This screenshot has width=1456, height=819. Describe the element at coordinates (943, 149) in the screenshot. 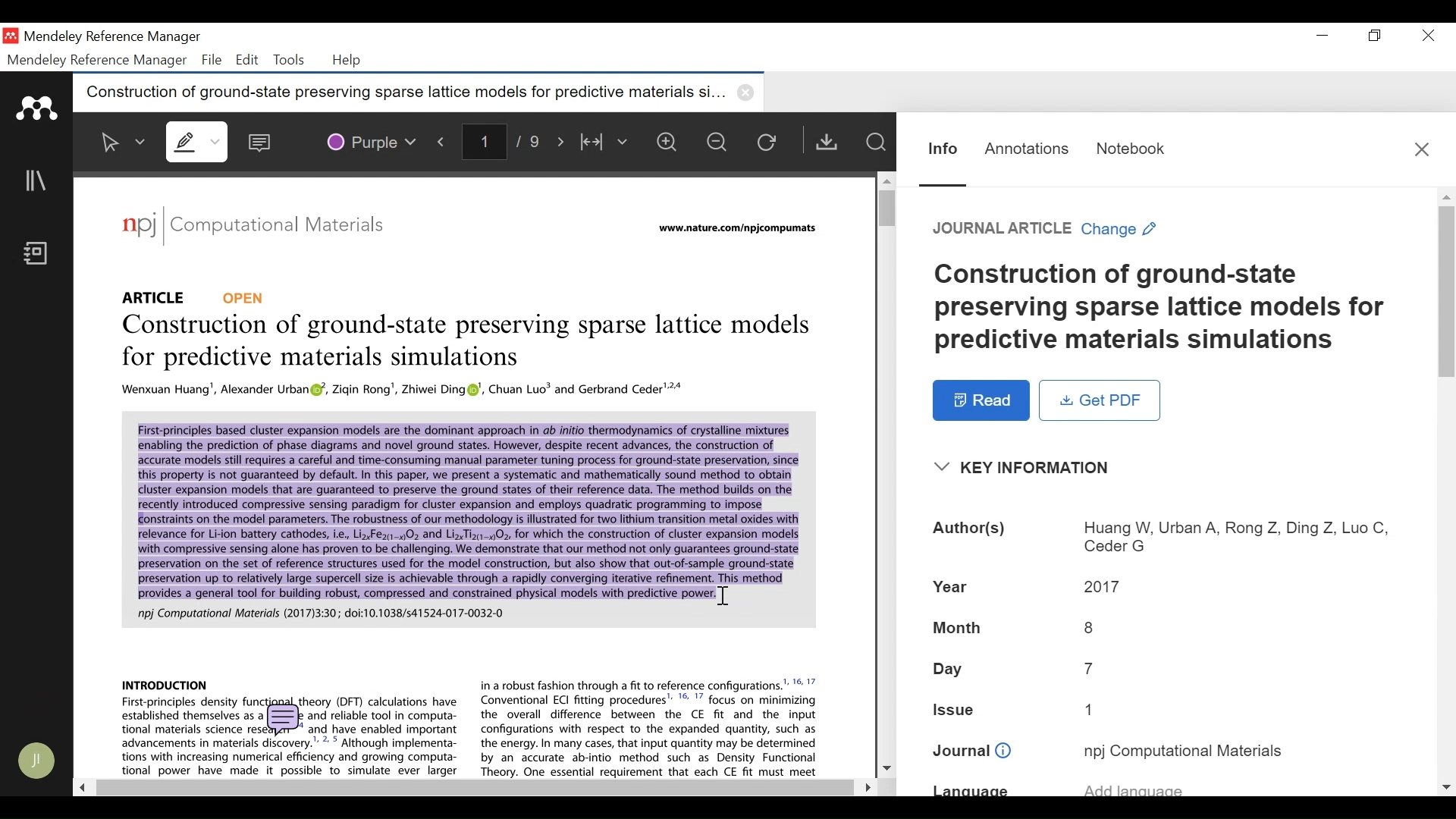

I see `Information ` at that location.